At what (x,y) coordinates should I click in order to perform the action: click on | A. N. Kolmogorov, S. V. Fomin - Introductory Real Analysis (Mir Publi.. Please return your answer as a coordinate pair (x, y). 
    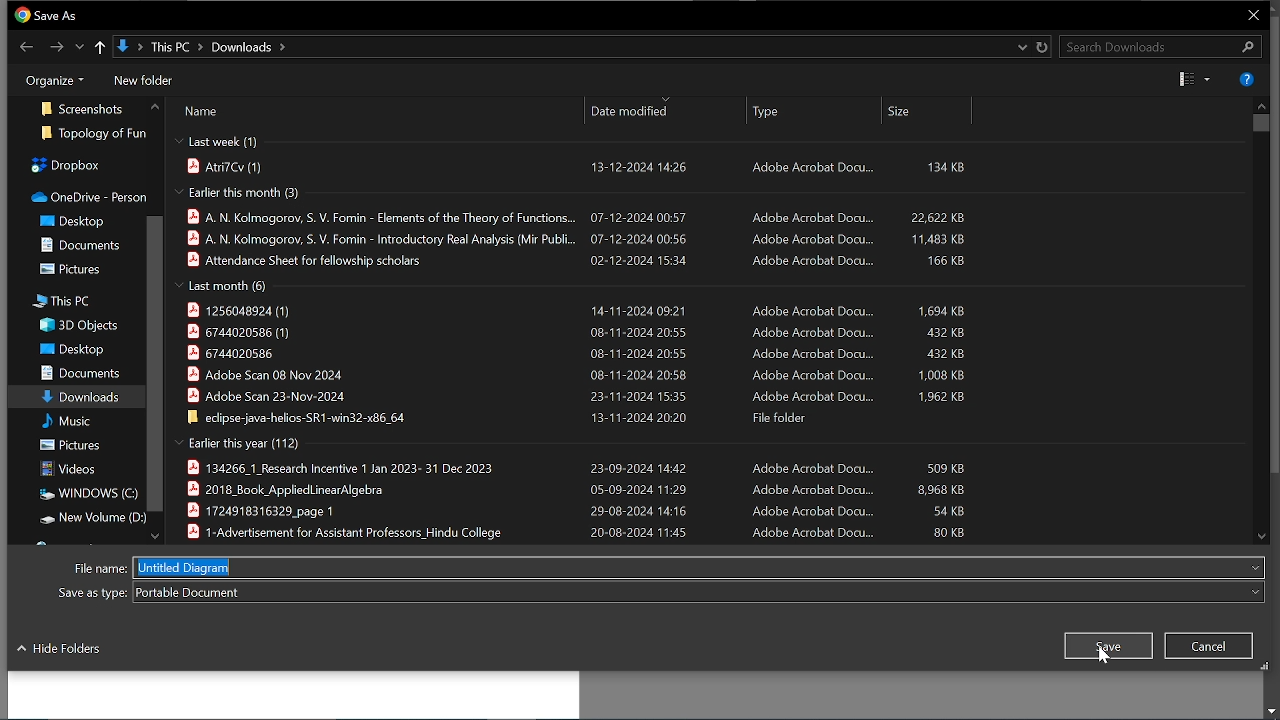
    Looking at the image, I should click on (379, 239).